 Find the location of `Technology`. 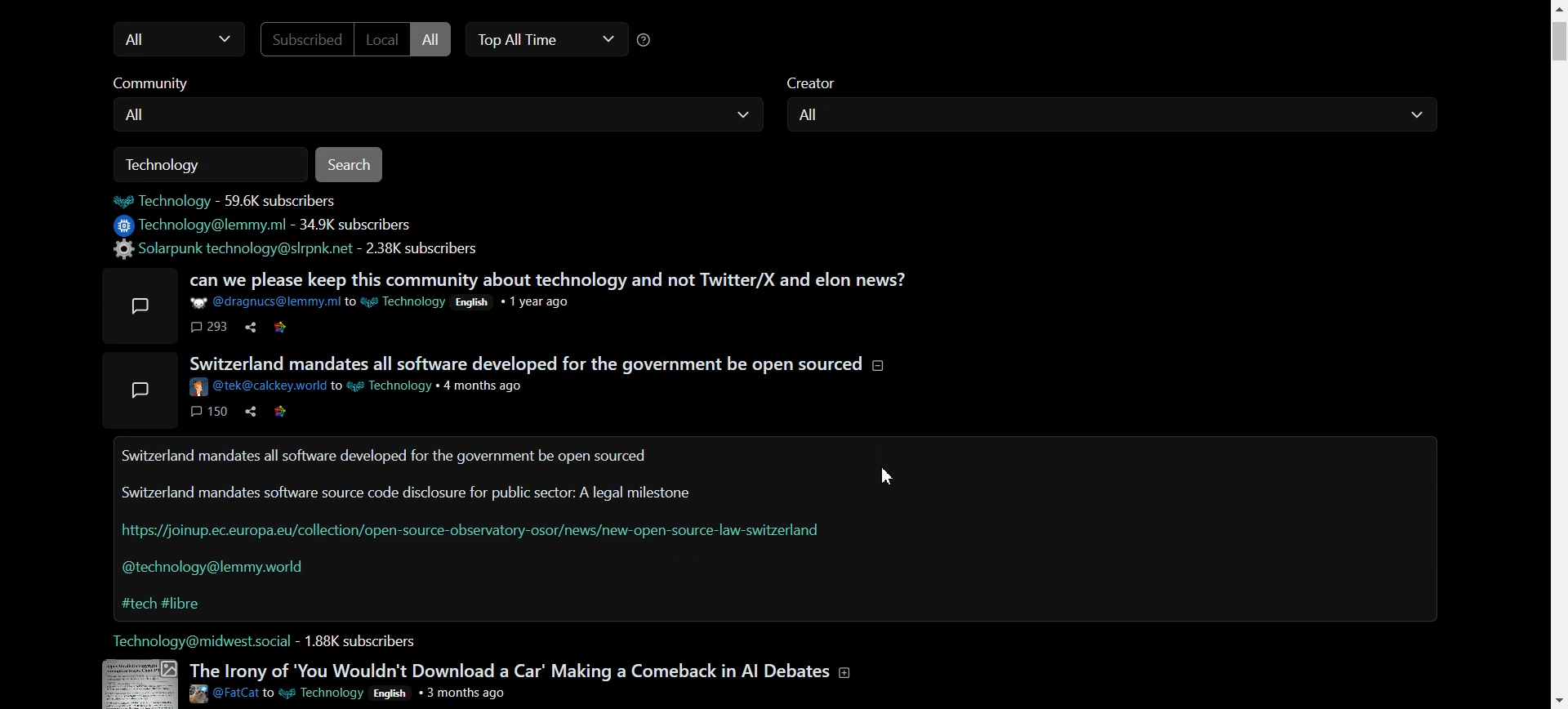

Technology is located at coordinates (212, 162).